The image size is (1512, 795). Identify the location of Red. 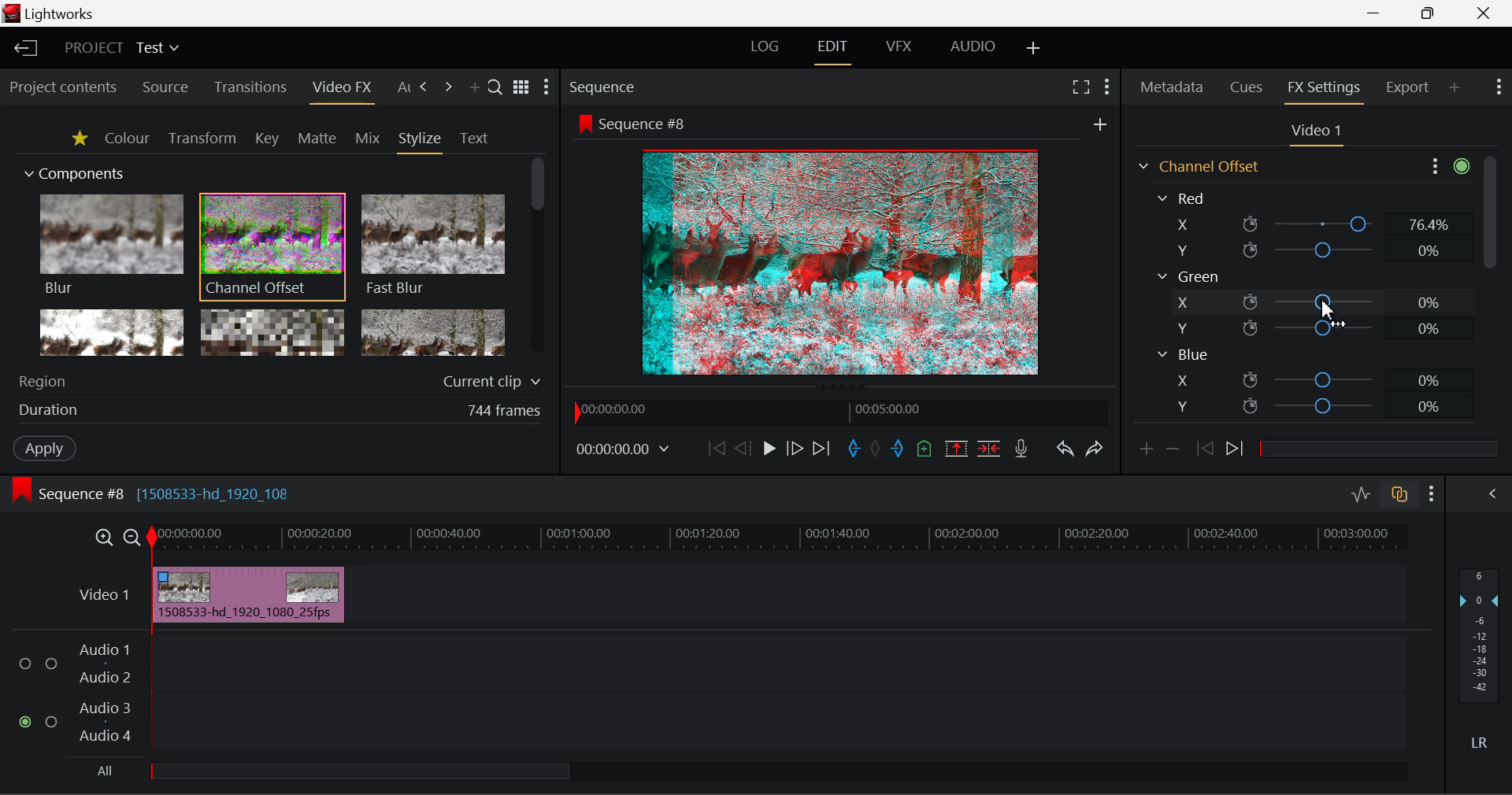
(1184, 197).